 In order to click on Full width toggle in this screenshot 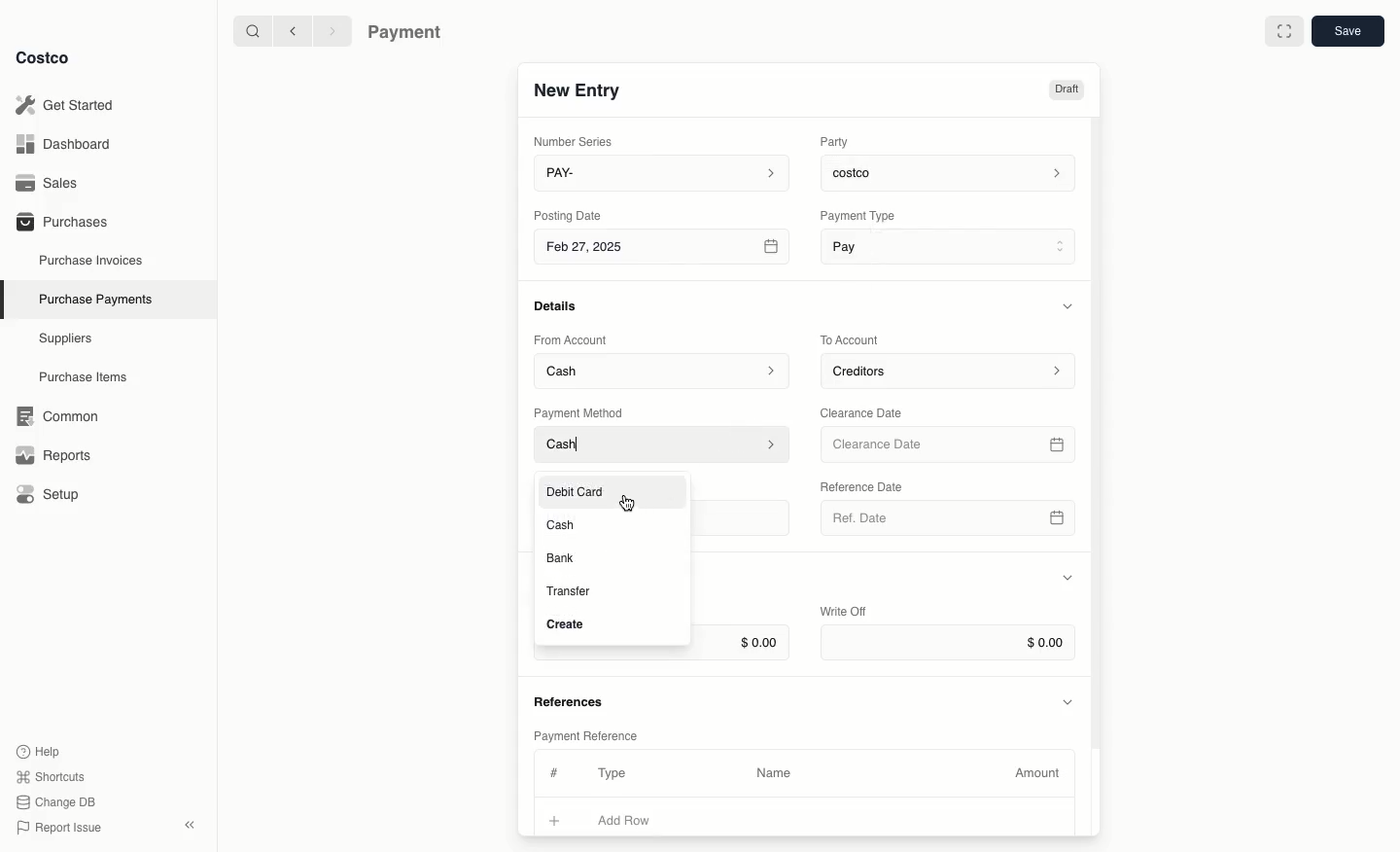, I will do `click(1284, 34)`.